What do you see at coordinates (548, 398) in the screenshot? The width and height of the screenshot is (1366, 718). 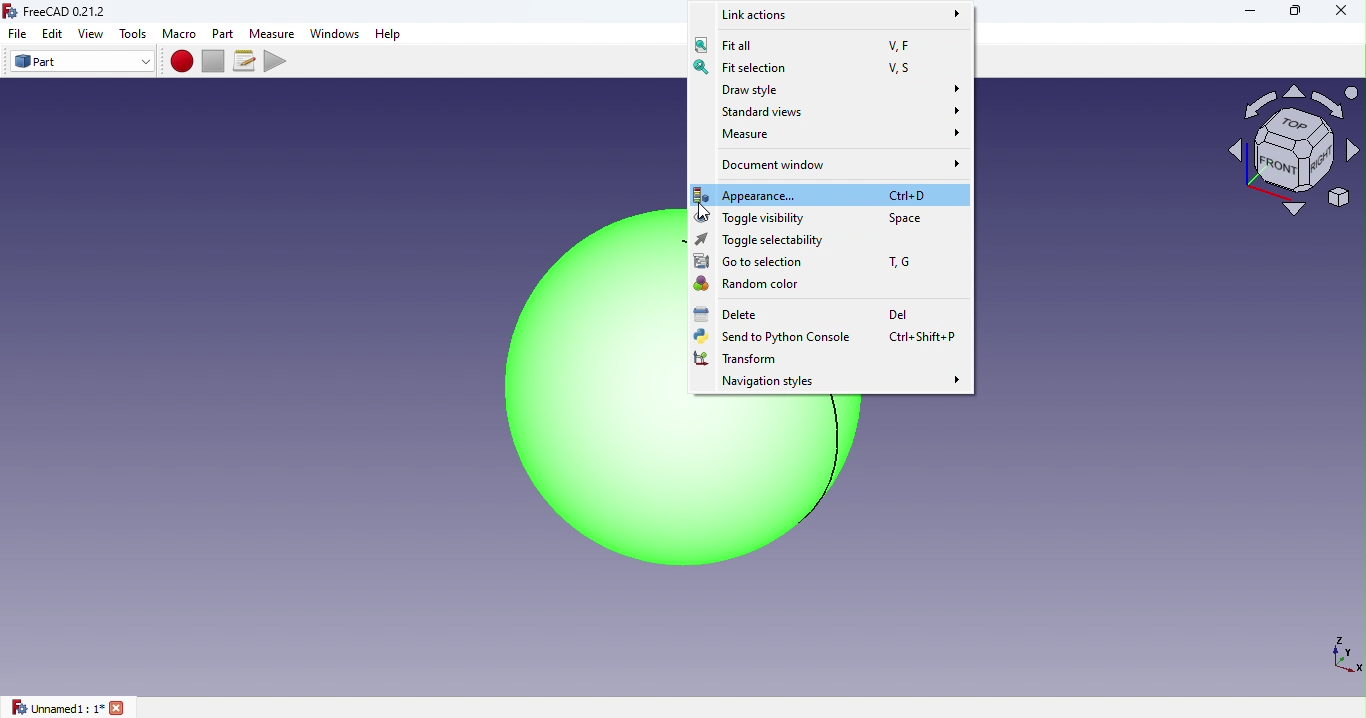 I see `Sphere` at bounding box center [548, 398].